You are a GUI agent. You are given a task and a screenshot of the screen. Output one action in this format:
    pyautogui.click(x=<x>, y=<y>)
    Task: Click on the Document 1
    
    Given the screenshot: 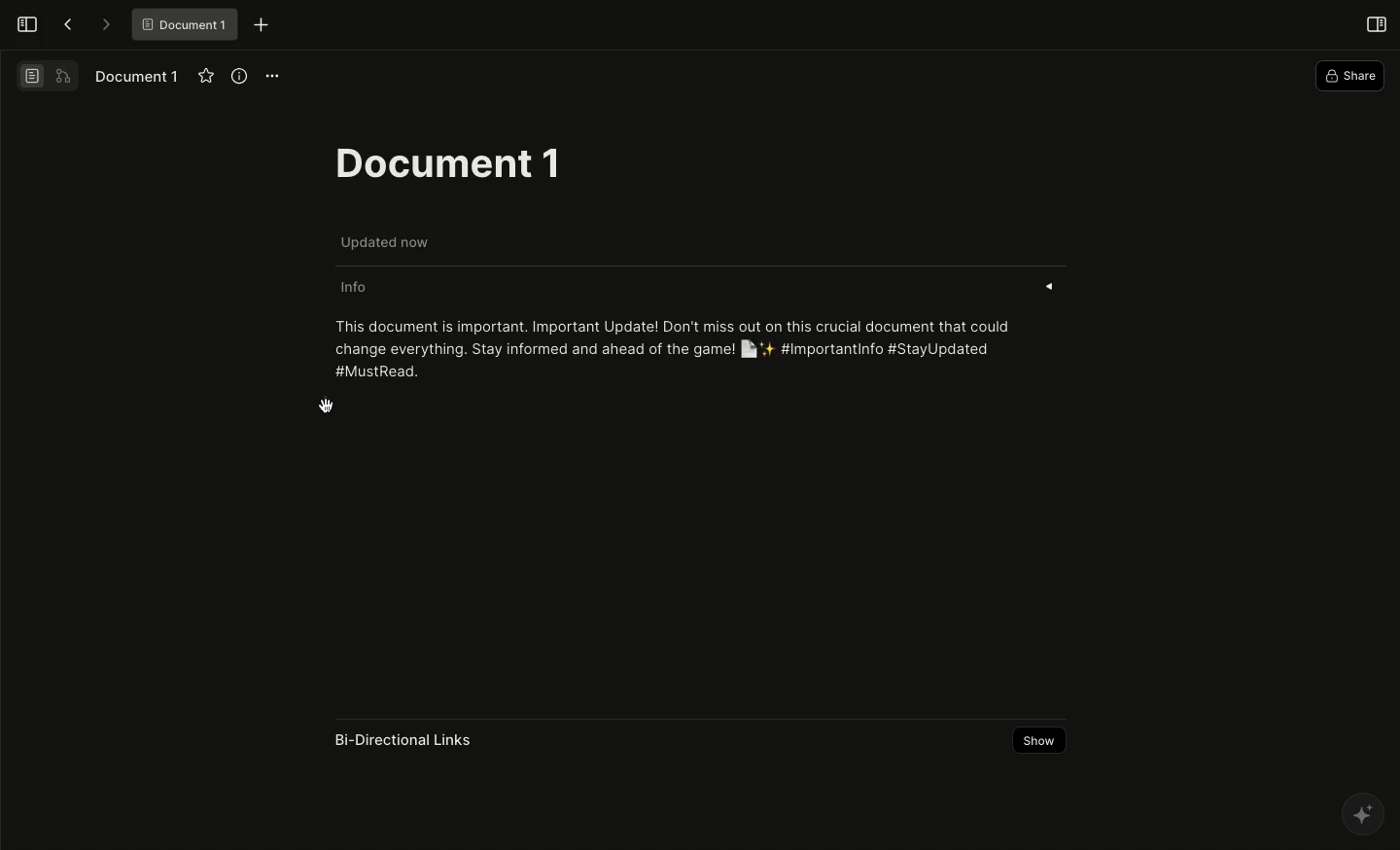 What is the action you would take?
    pyautogui.click(x=183, y=24)
    